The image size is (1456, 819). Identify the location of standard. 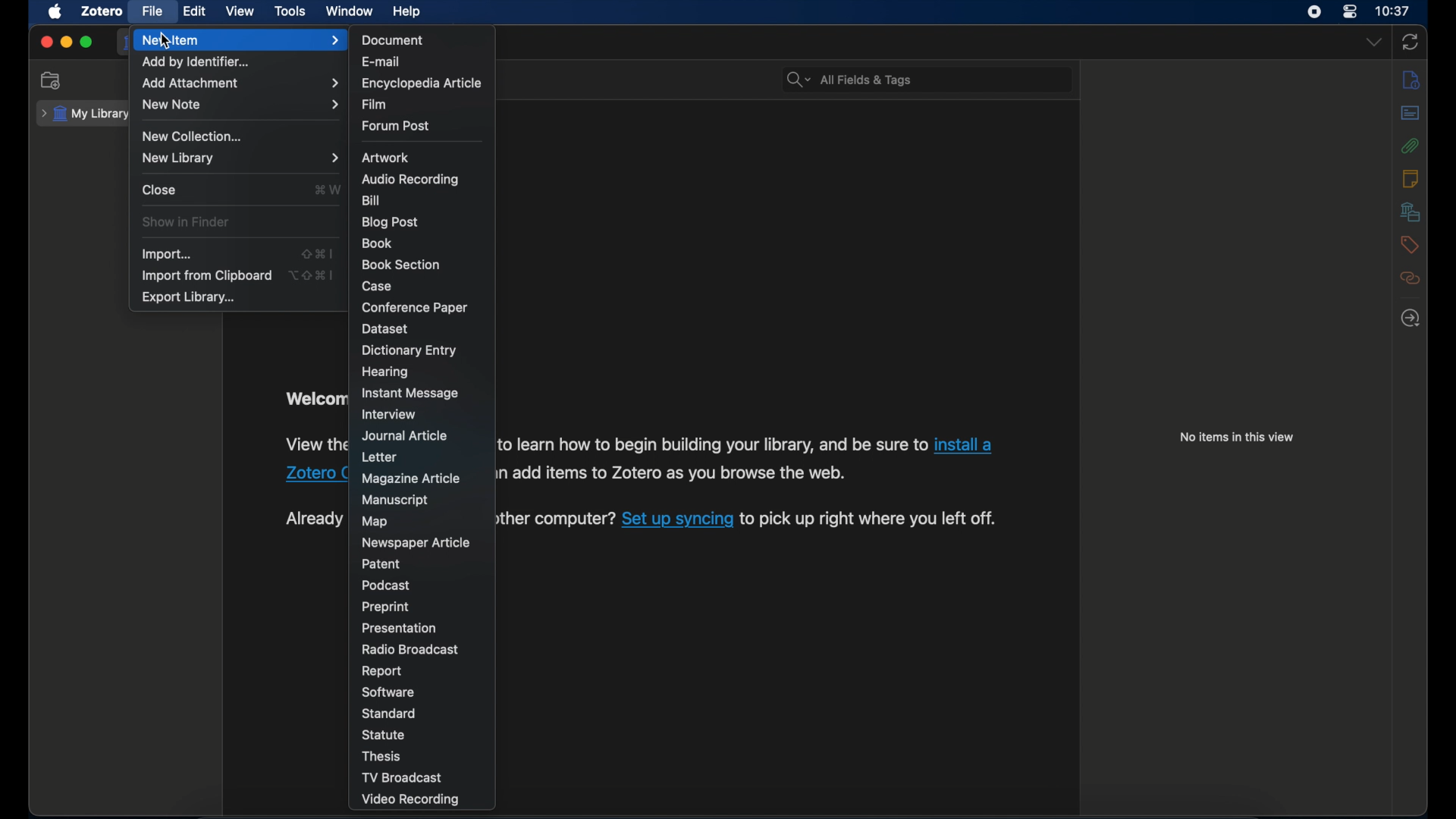
(392, 714).